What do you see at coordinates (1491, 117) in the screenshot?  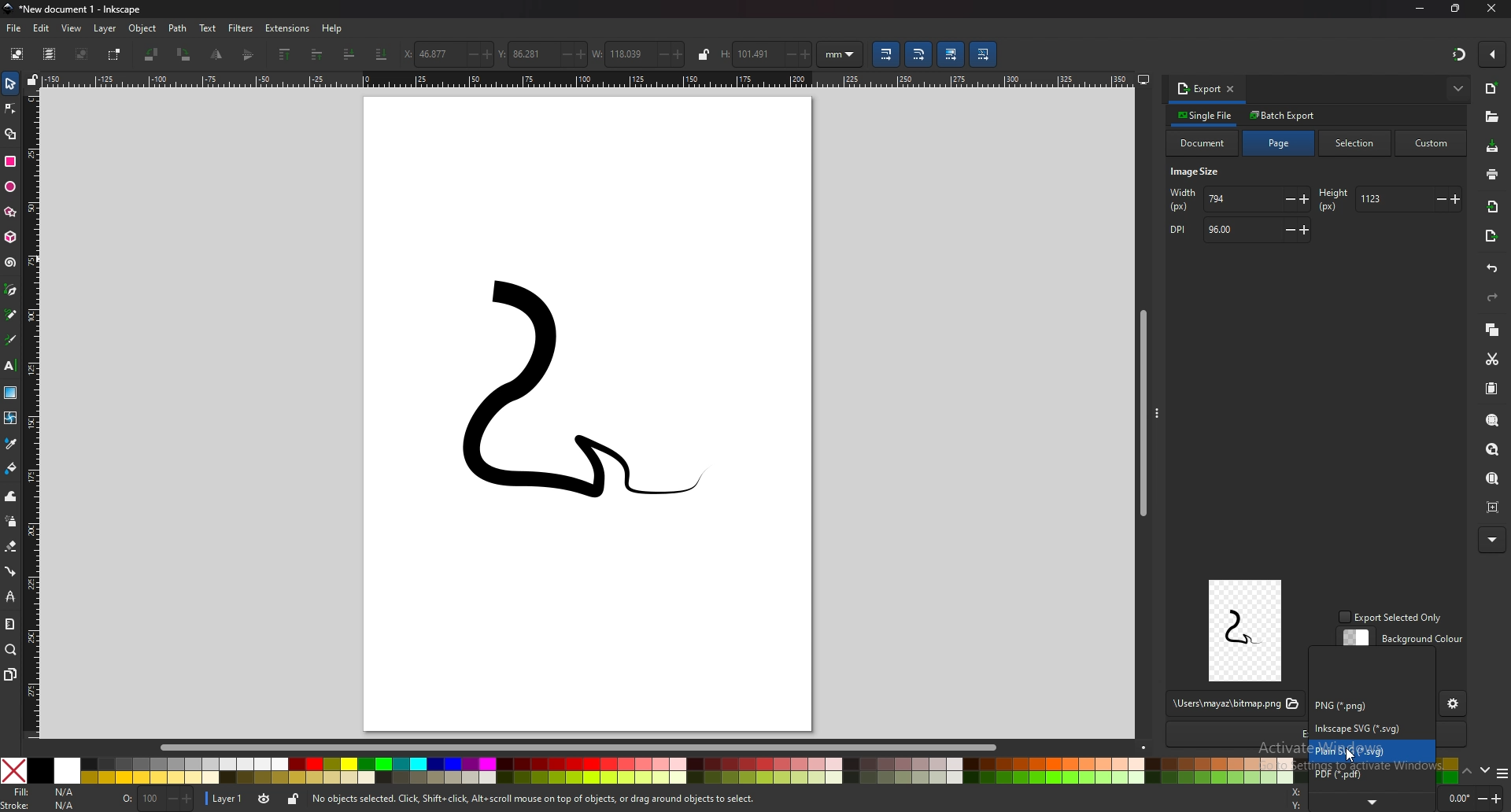 I see `open` at bounding box center [1491, 117].